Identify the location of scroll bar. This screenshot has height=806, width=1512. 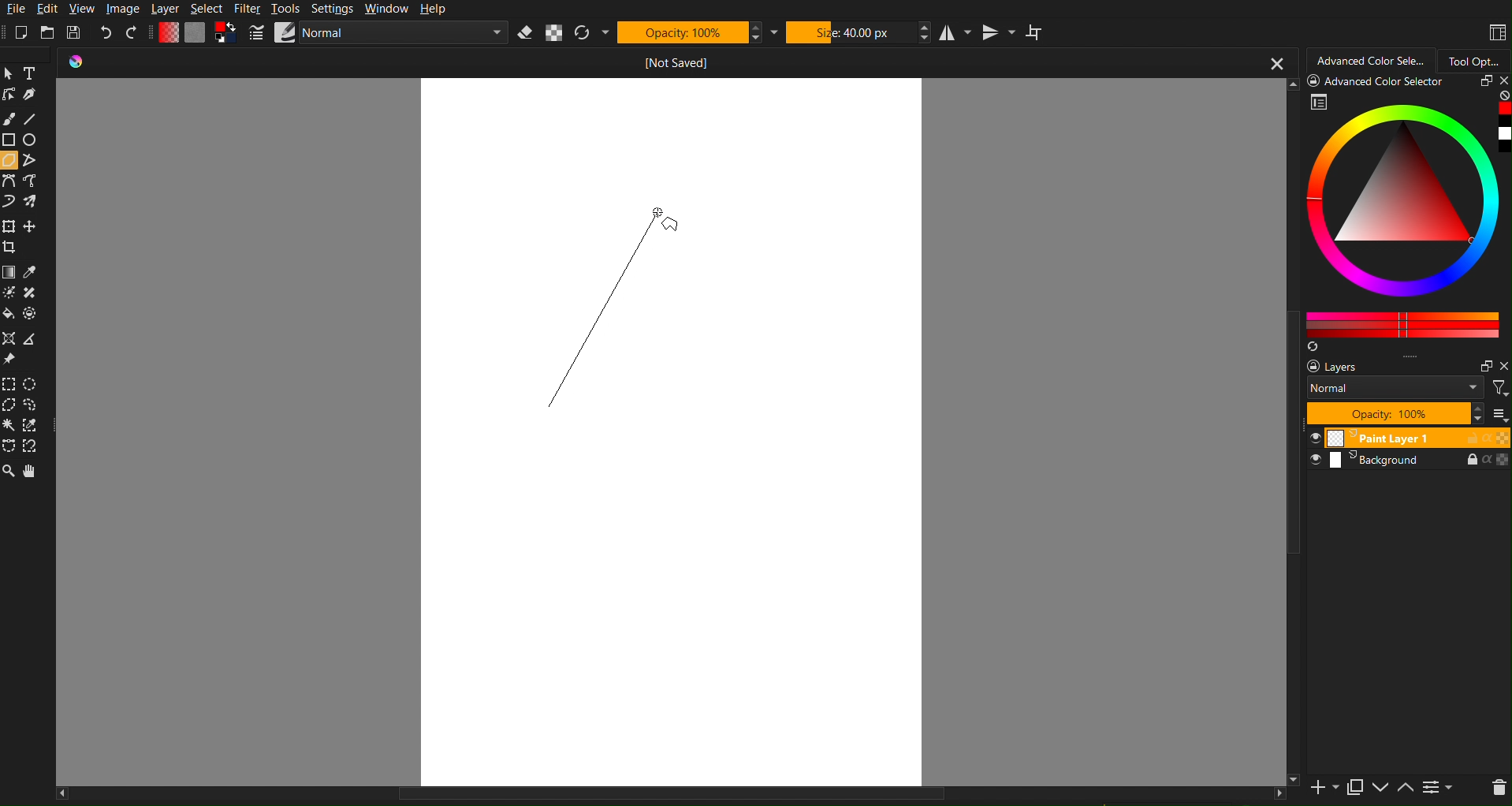
(1293, 432).